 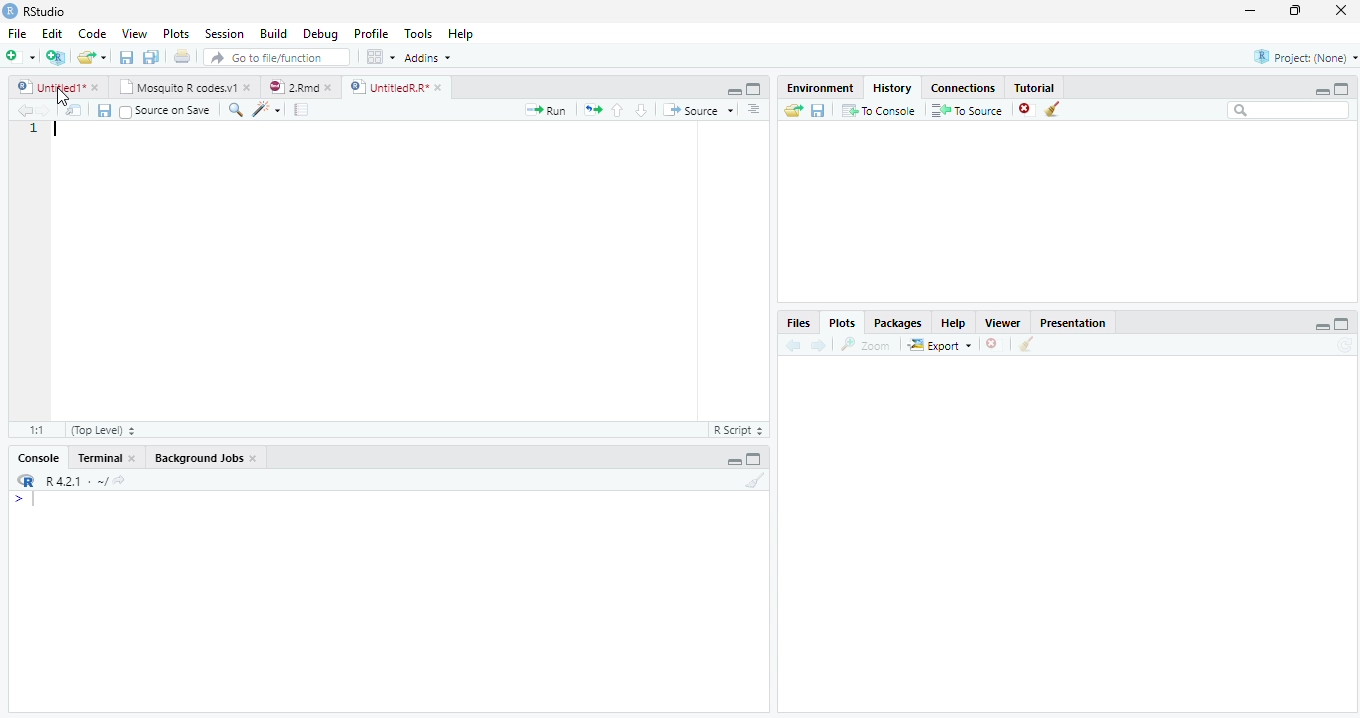 I want to click on Code, so click(x=96, y=34).